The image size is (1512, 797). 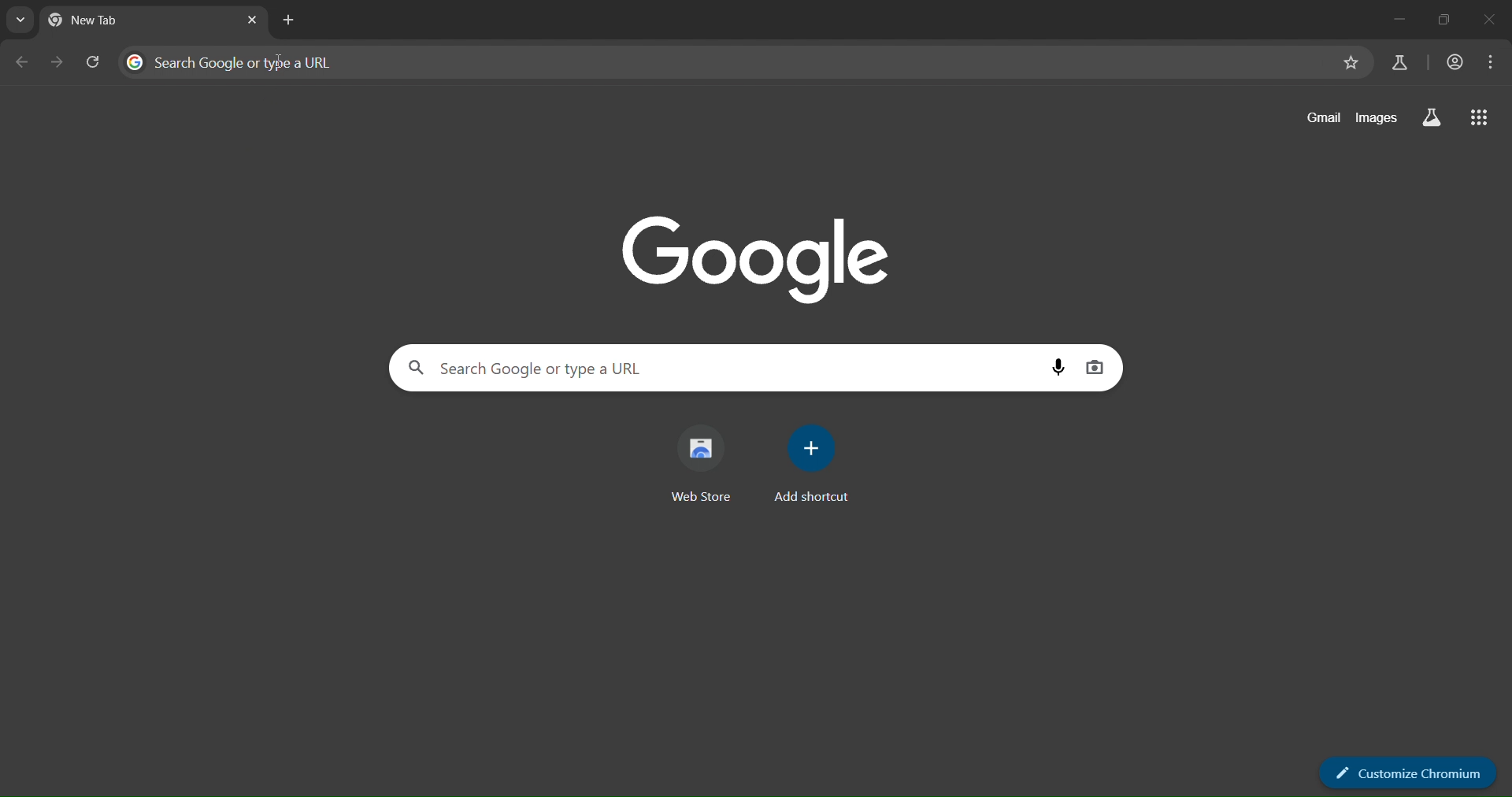 I want to click on maximize, so click(x=1438, y=20).